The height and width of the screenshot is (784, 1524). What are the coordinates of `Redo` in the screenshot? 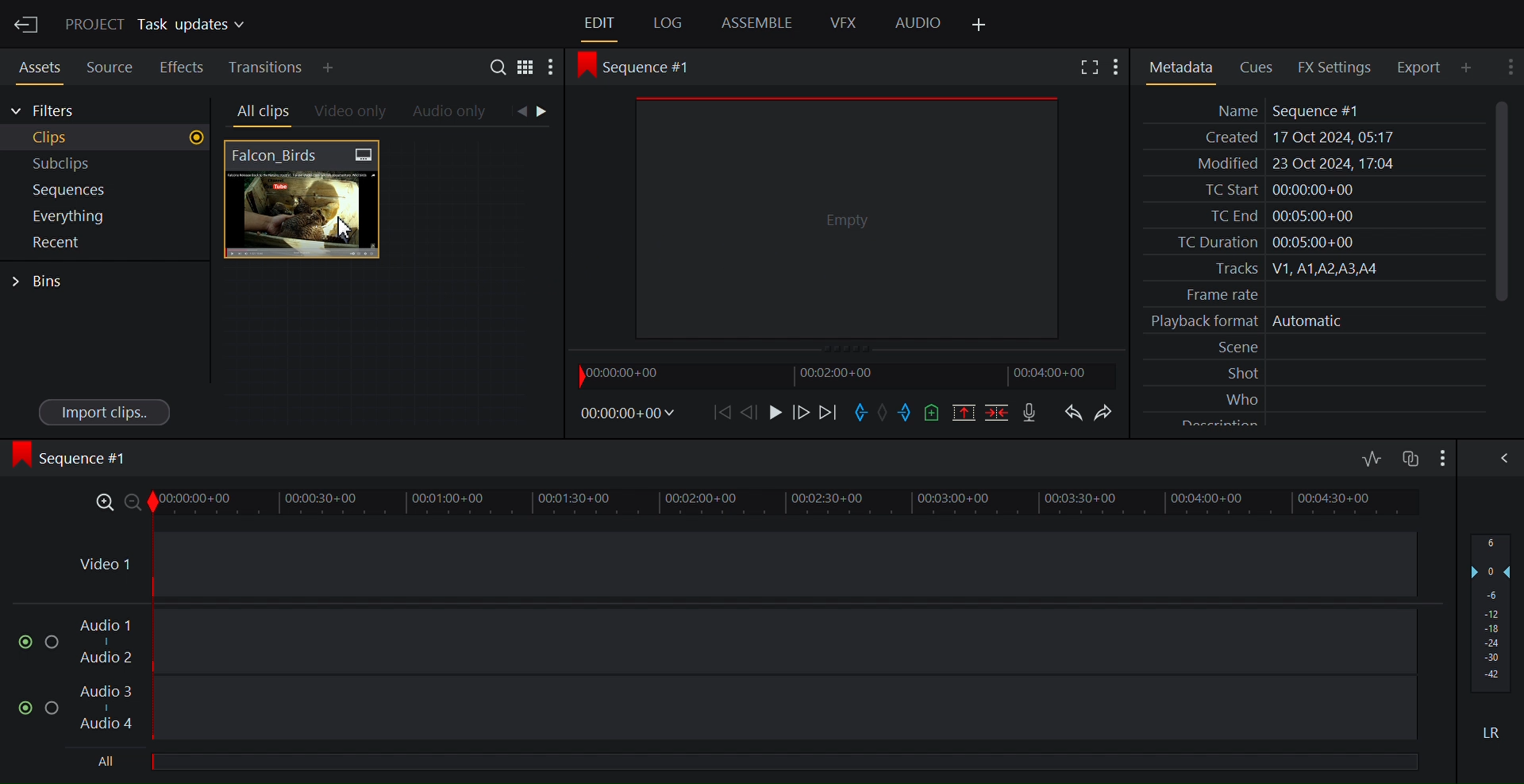 It's located at (1109, 413).